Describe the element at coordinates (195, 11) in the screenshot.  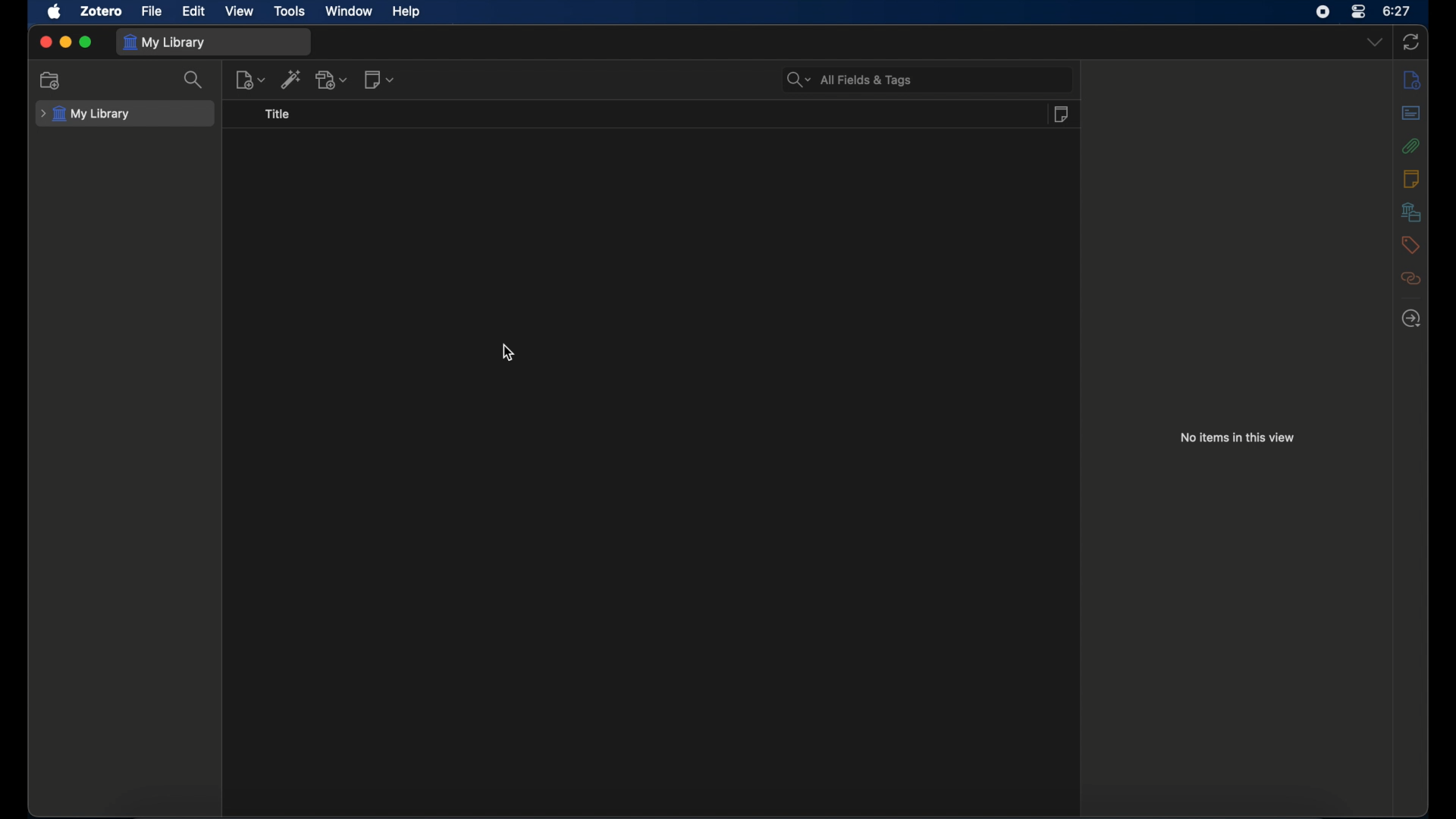
I see `edit` at that location.